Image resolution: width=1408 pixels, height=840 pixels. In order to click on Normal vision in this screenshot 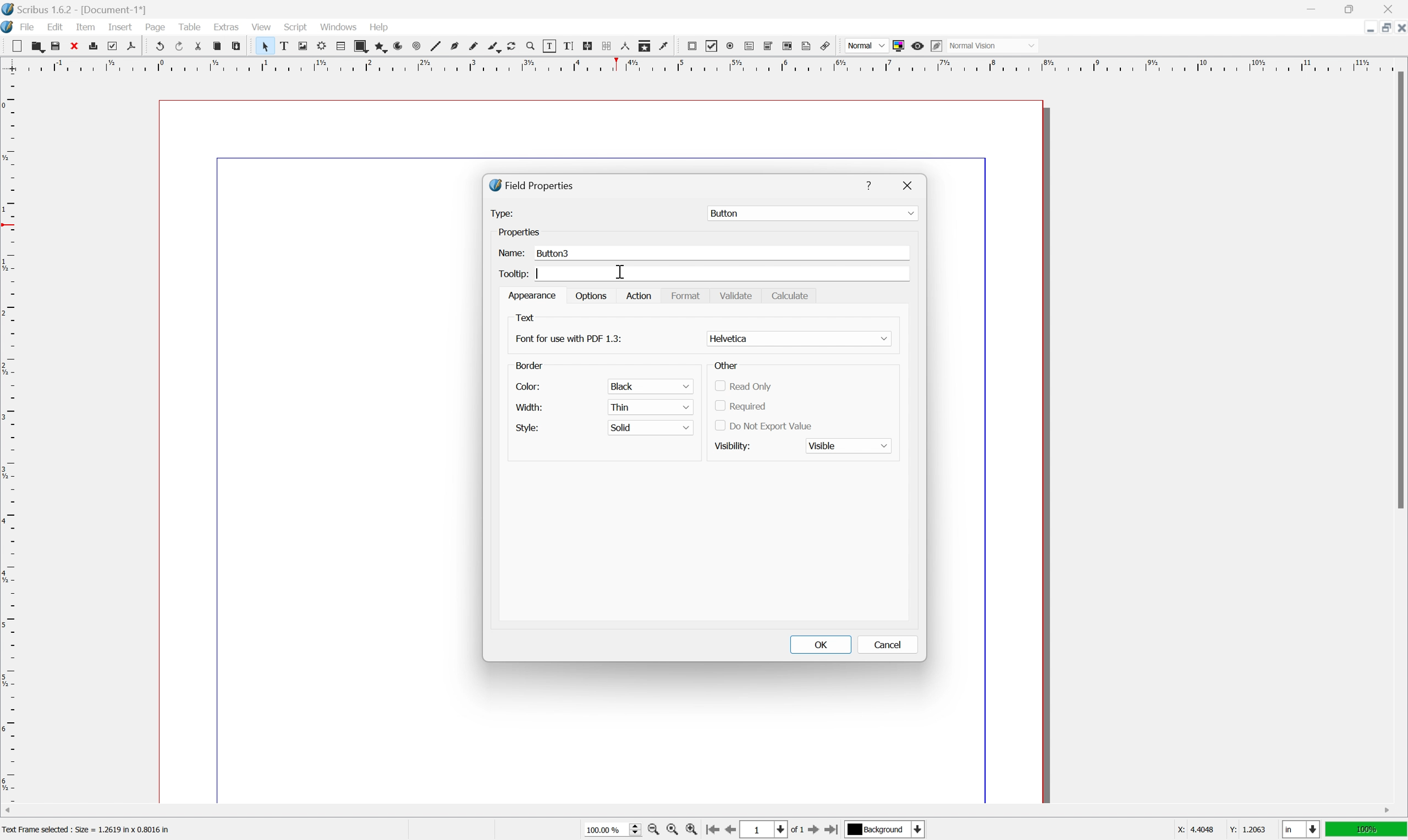, I will do `click(995, 45)`.